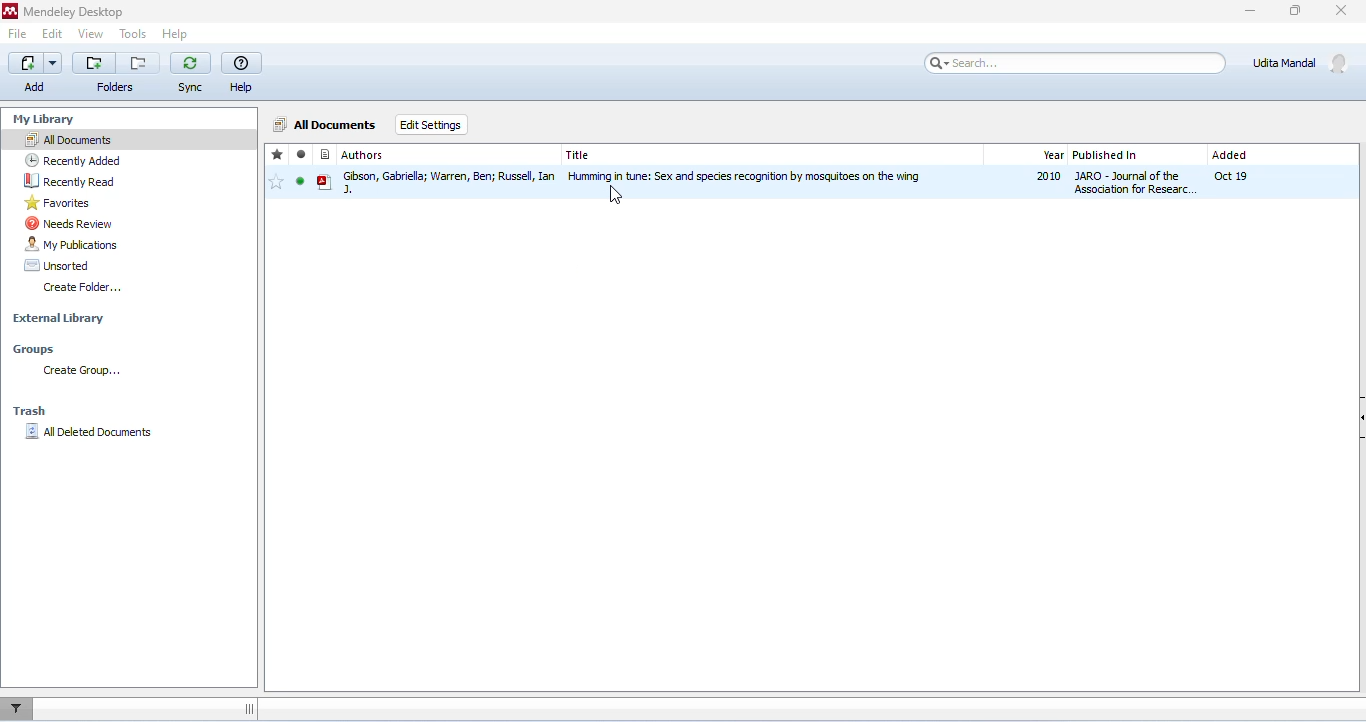 The width and height of the screenshot is (1366, 722). Describe the element at coordinates (21, 707) in the screenshot. I see `filter` at that location.